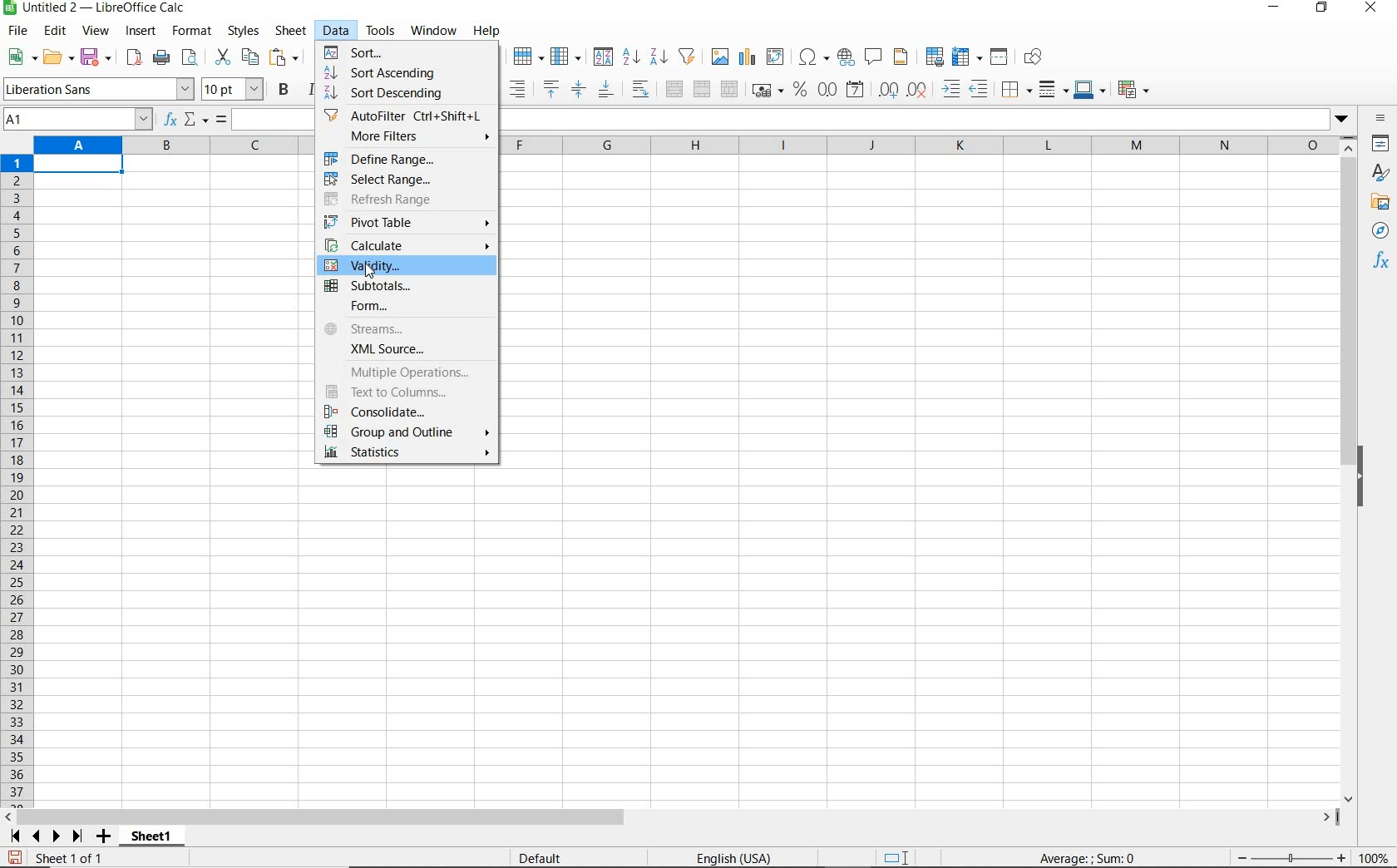 This screenshot has height=868, width=1397. I want to click on select function, so click(196, 121).